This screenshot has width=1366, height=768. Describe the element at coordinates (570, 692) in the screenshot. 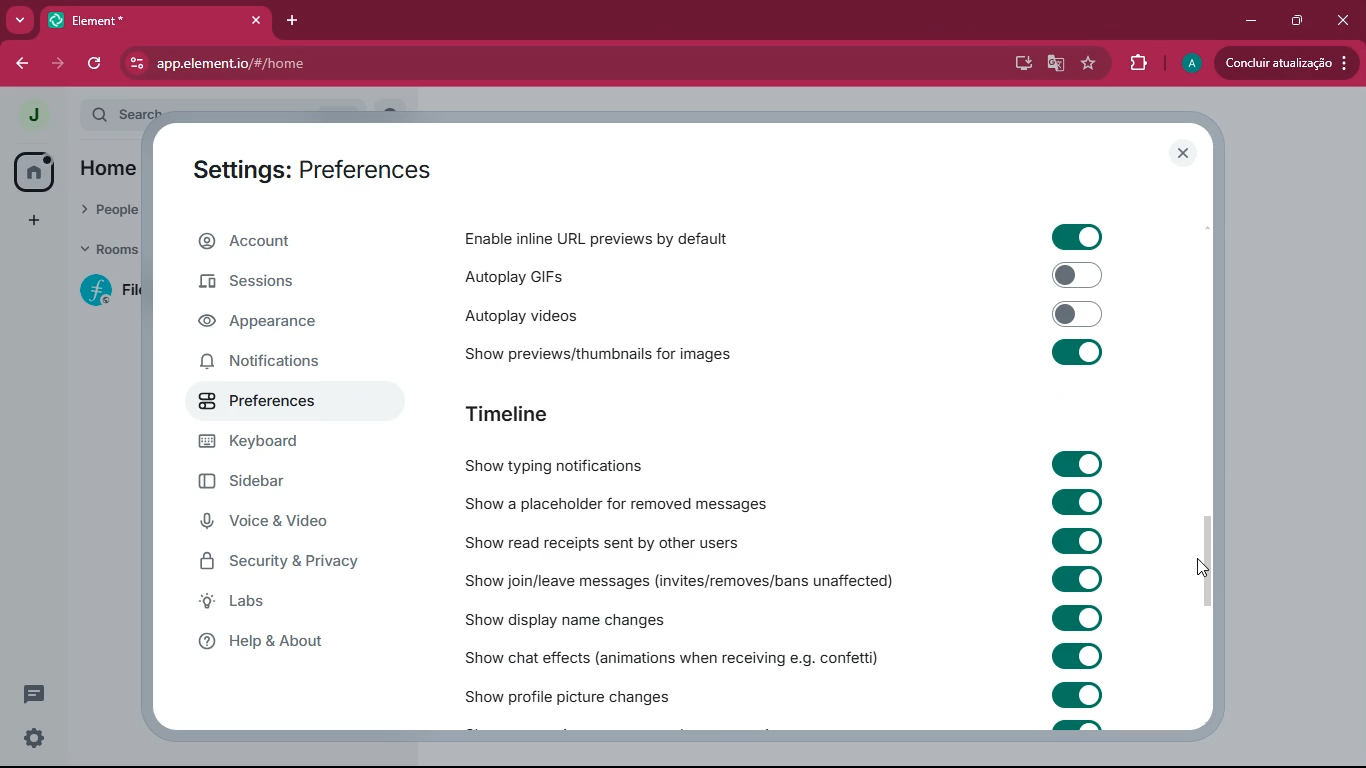

I see `show profile picture changes` at that location.